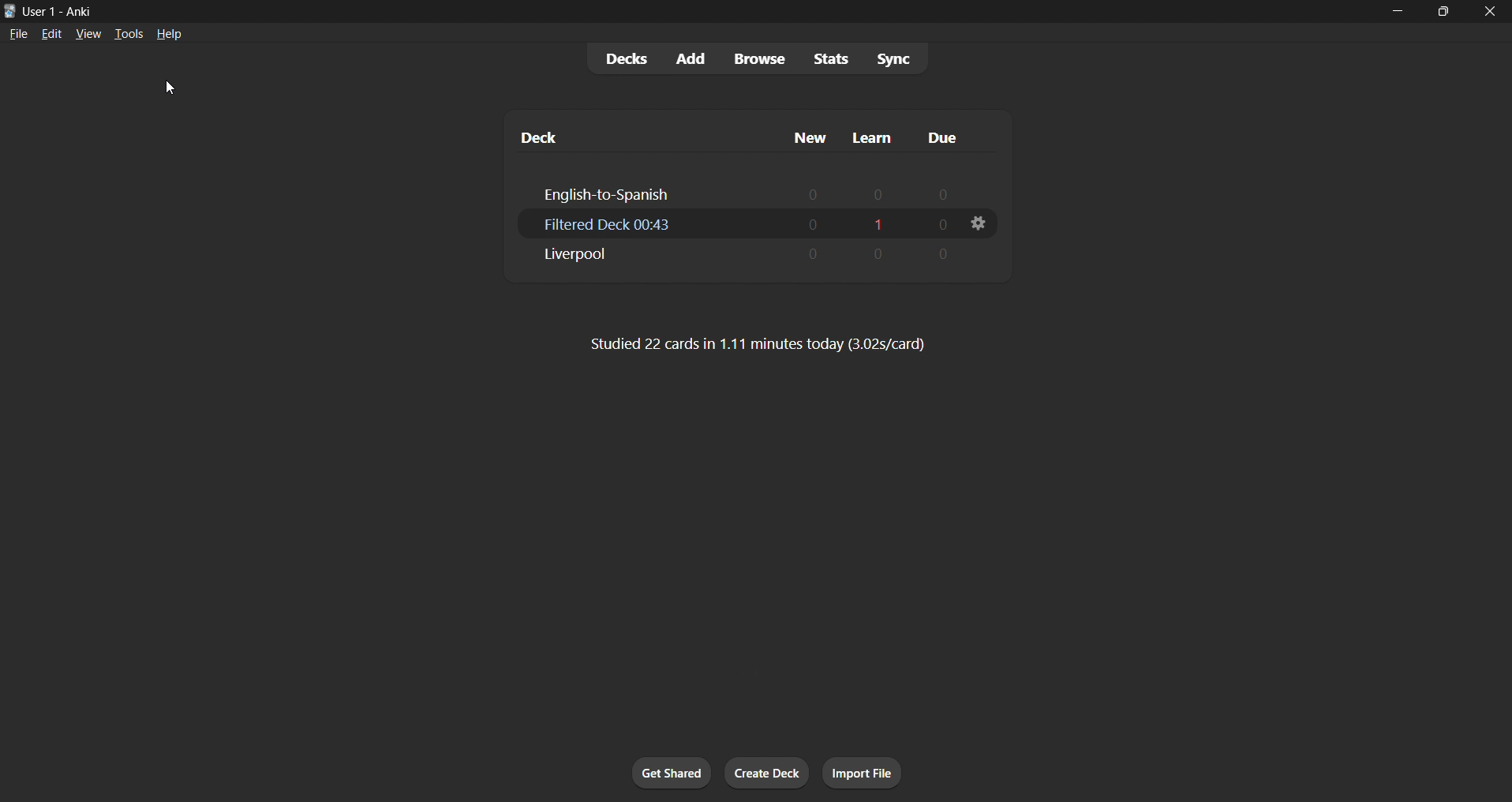 This screenshot has width=1512, height=802. What do you see at coordinates (862, 773) in the screenshot?
I see `import file` at bounding box center [862, 773].